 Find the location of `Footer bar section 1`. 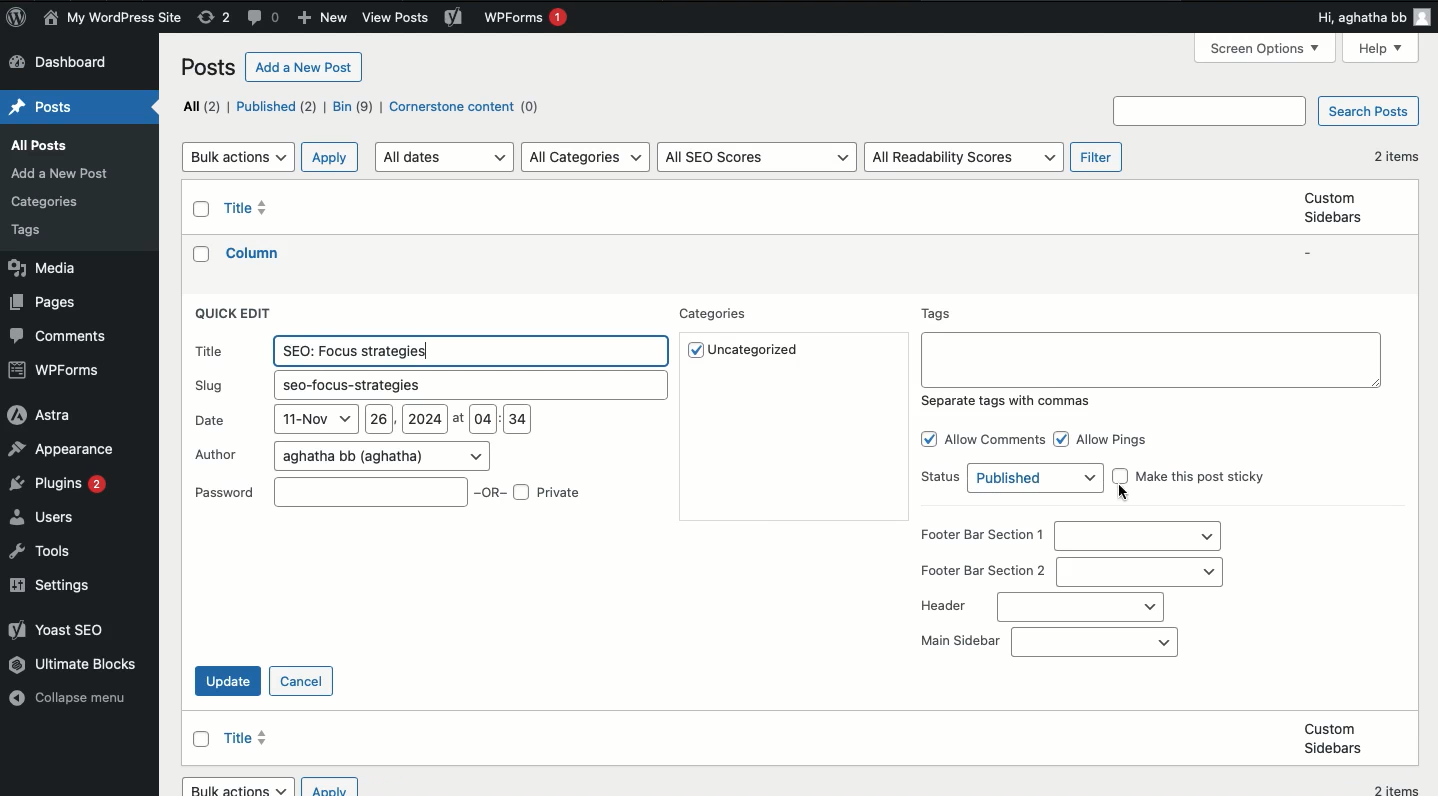

Footer bar section 1 is located at coordinates (983, 536).